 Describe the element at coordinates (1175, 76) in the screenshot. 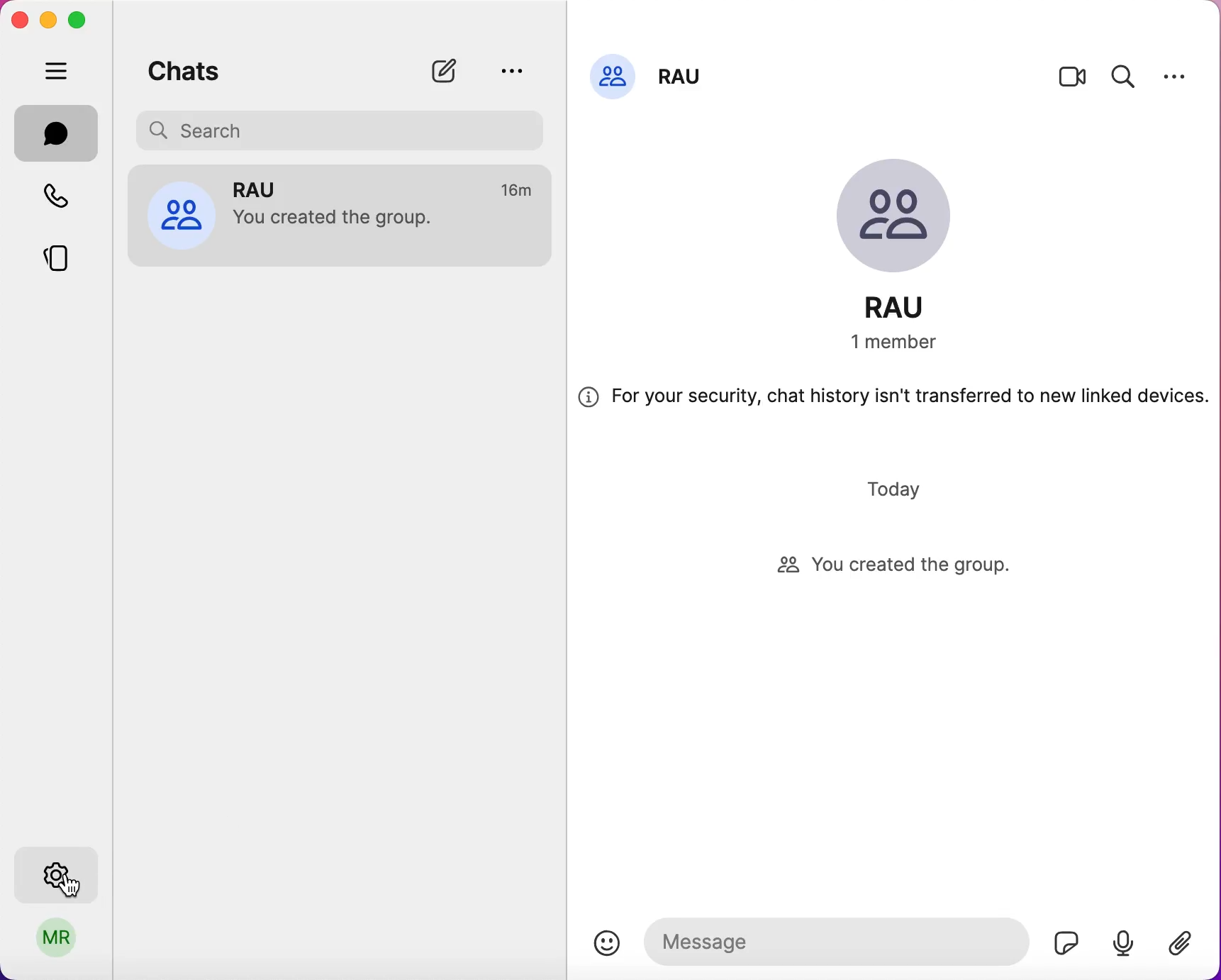

I see `settings` at that location.